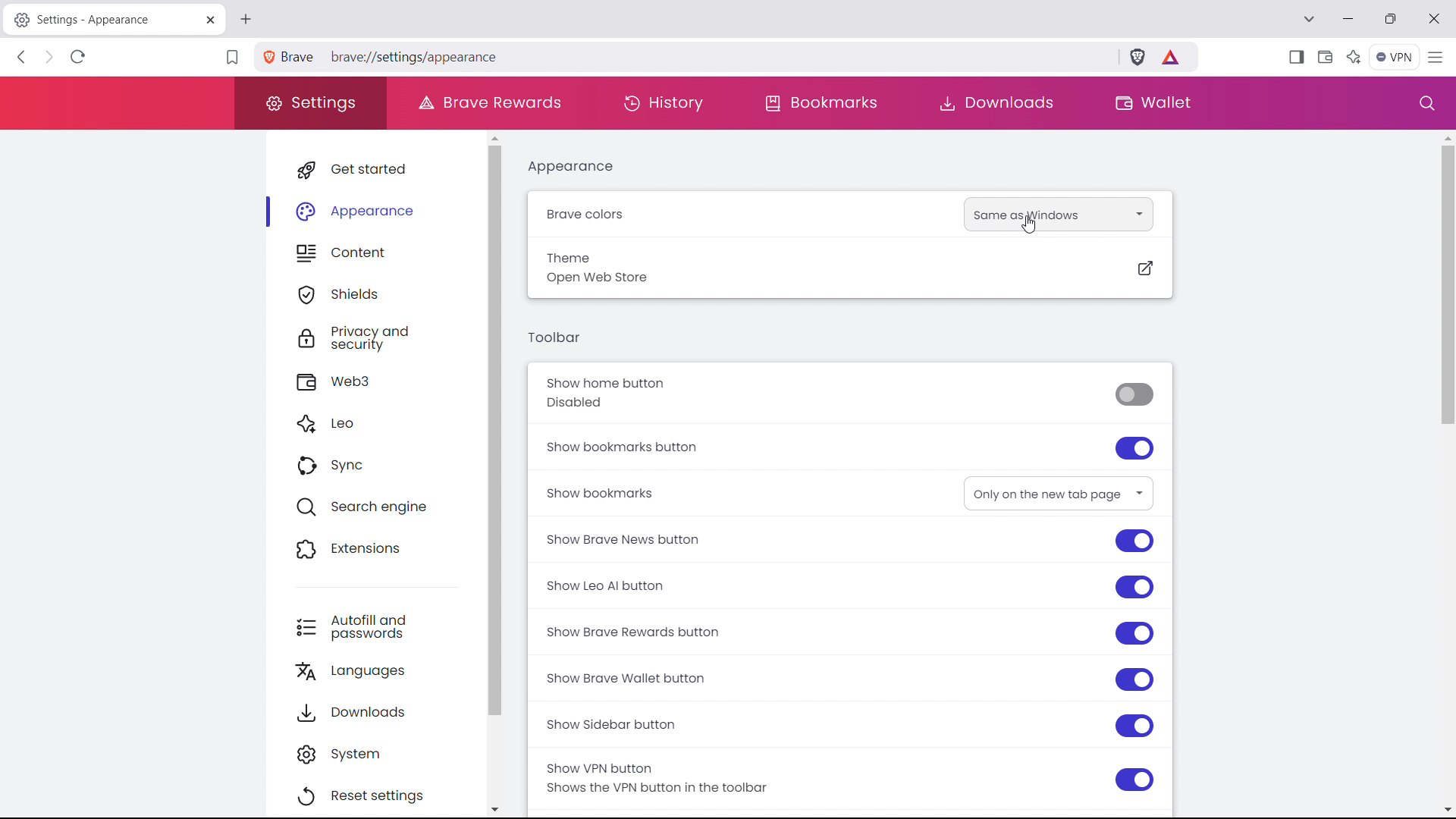 The width and height of the screenshot is (1456, 819). I want to click on show brave news button, so click(849, 541).